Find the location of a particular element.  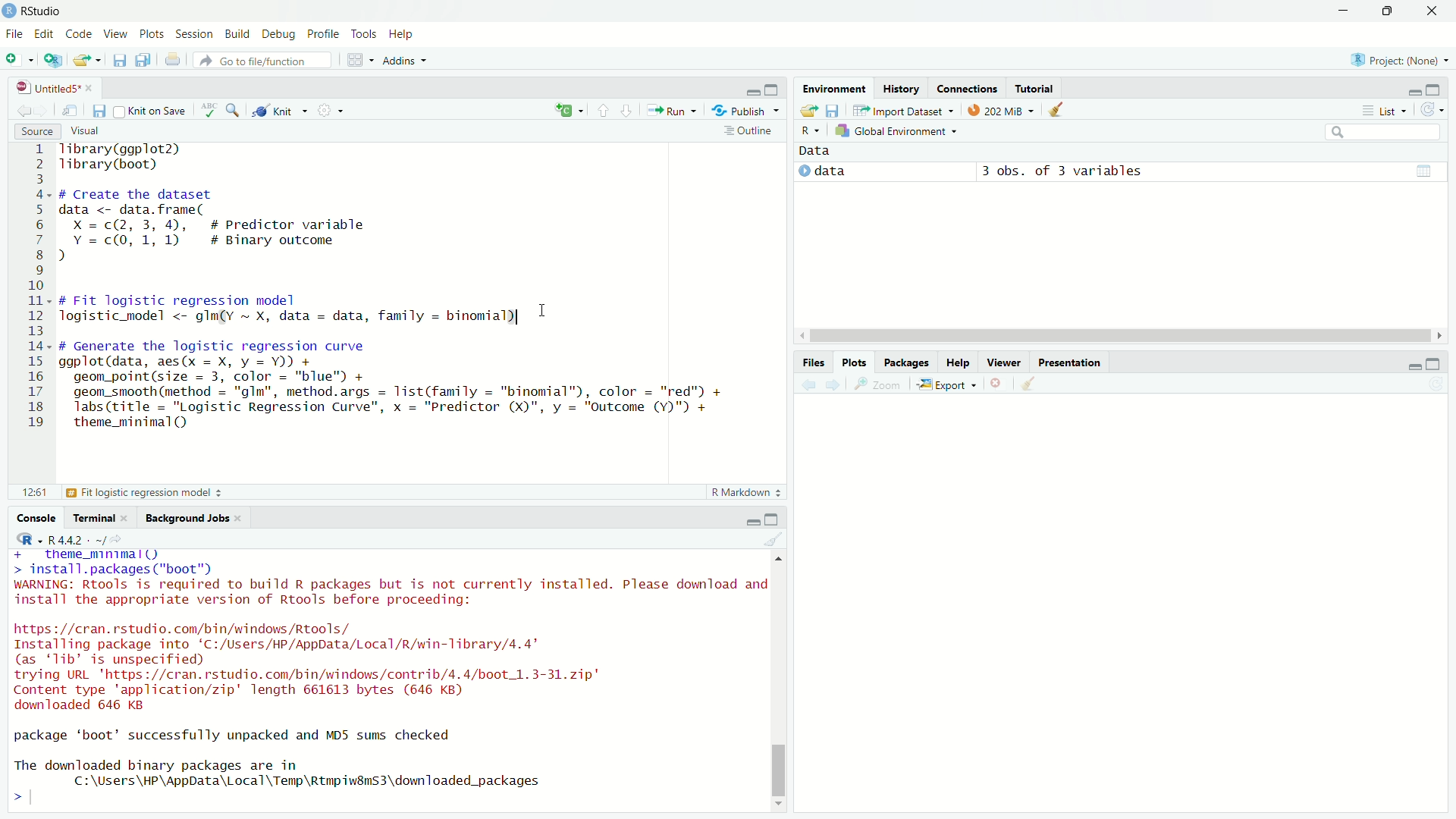

Previous plot is located at coordinates (808, 385).